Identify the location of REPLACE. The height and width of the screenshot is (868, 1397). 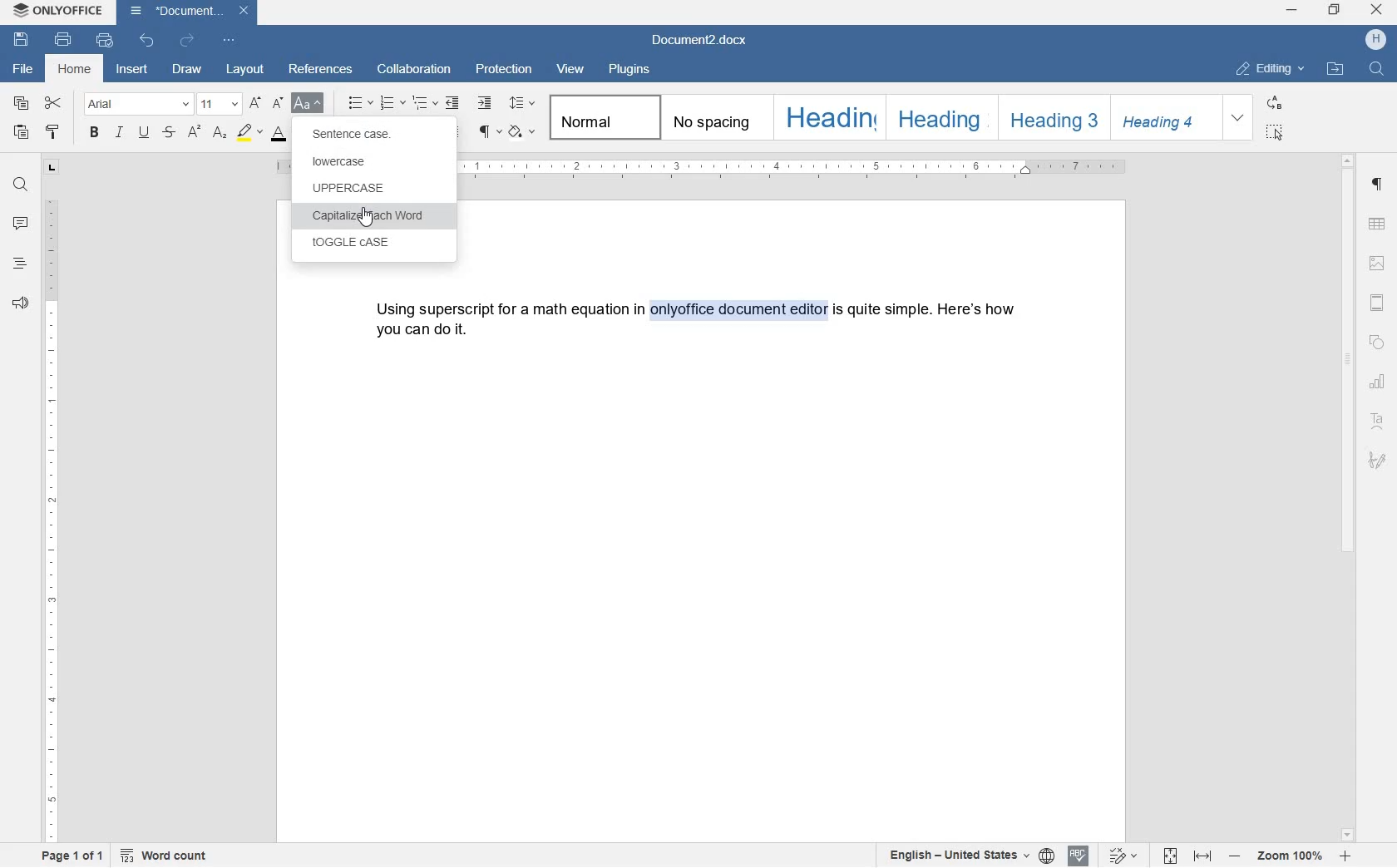
(1275, 104).